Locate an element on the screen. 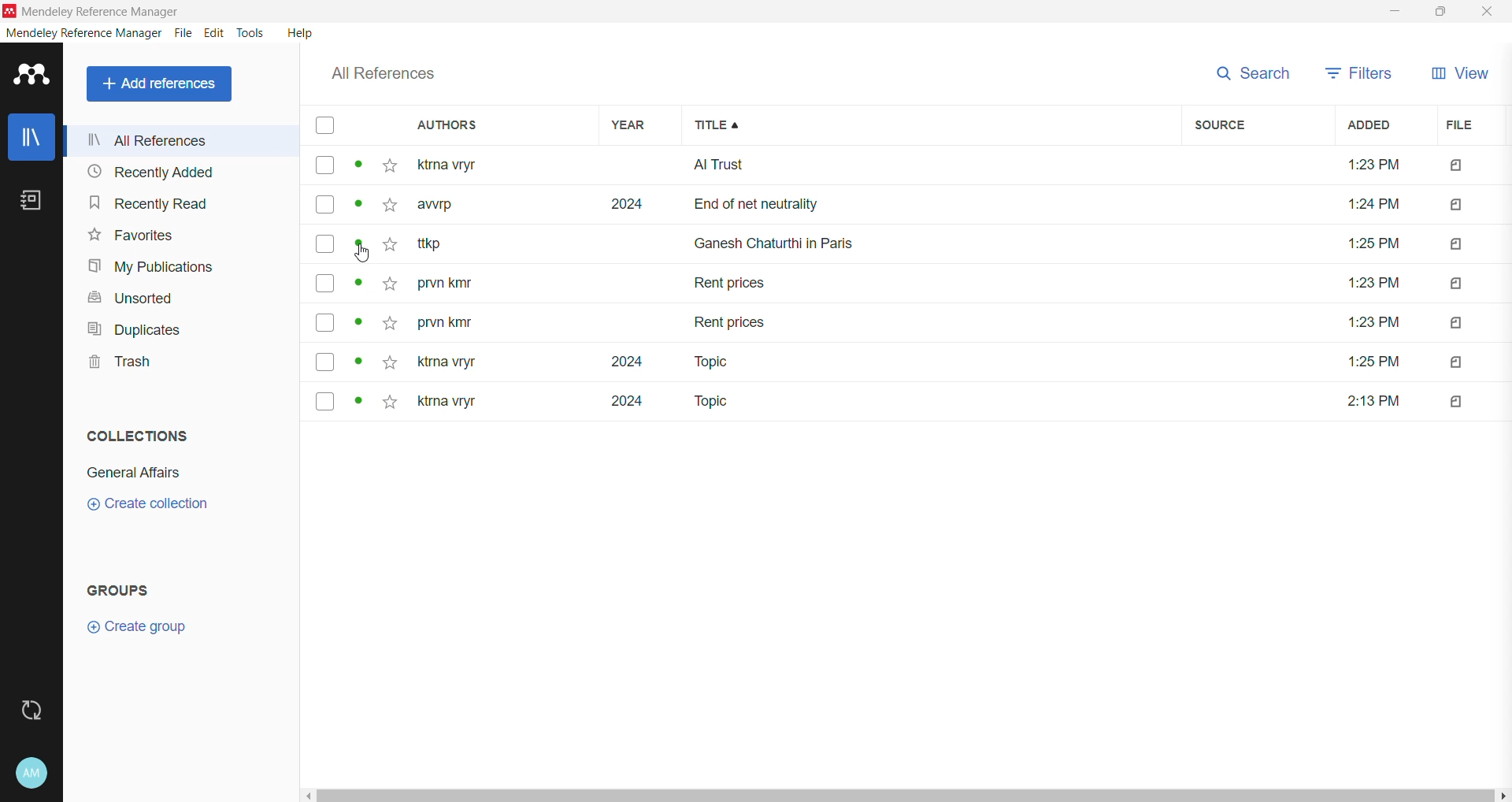 The height and width of the screenshot is (802, 1512). Horizontal Scroll Bar is located at coordinates (906, 796).